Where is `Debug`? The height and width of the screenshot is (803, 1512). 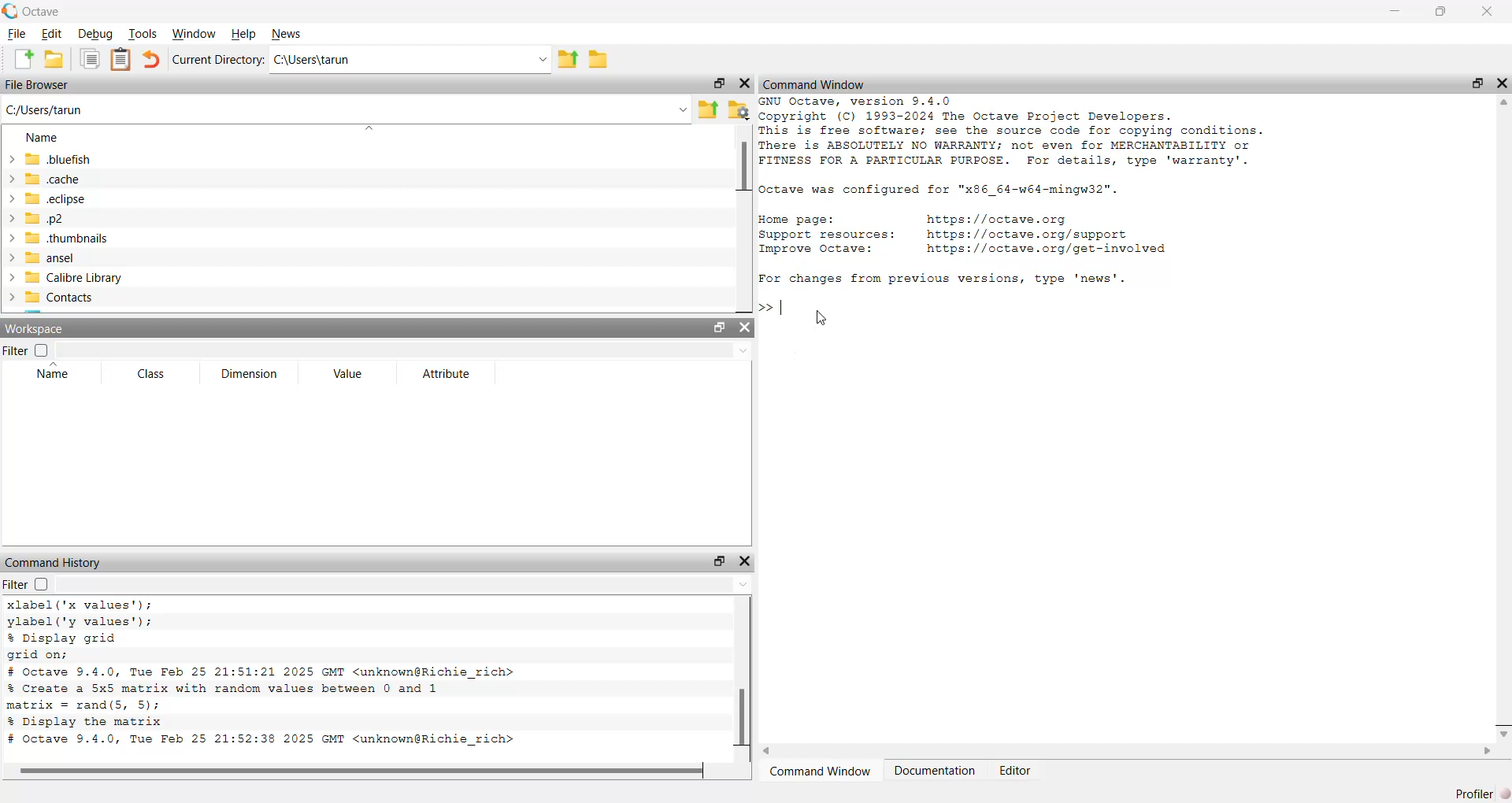 Debug is located at coordinates (96, 35).